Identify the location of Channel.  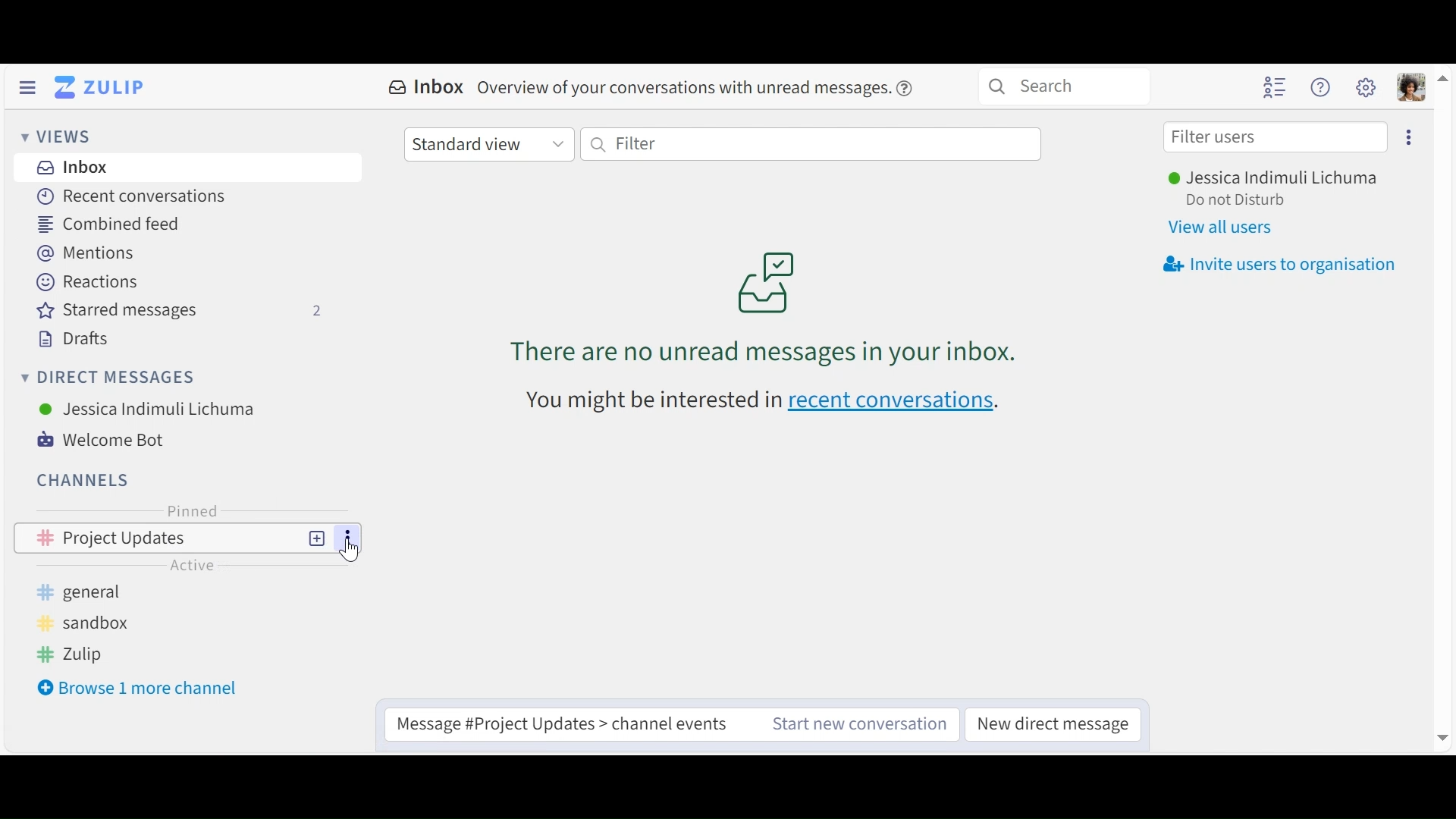
(188, 538).